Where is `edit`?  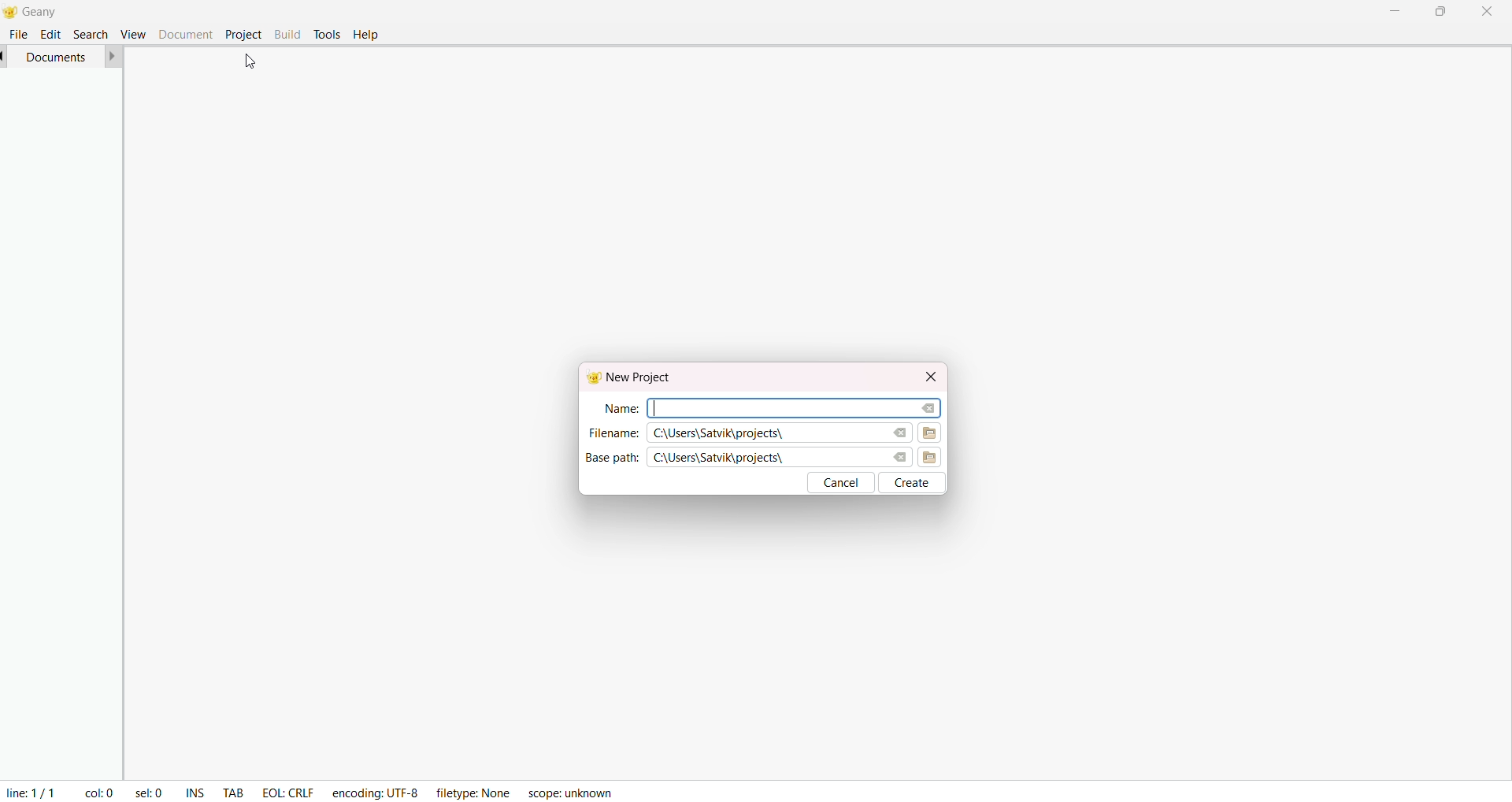
edit is located at coordinates (52, 33).